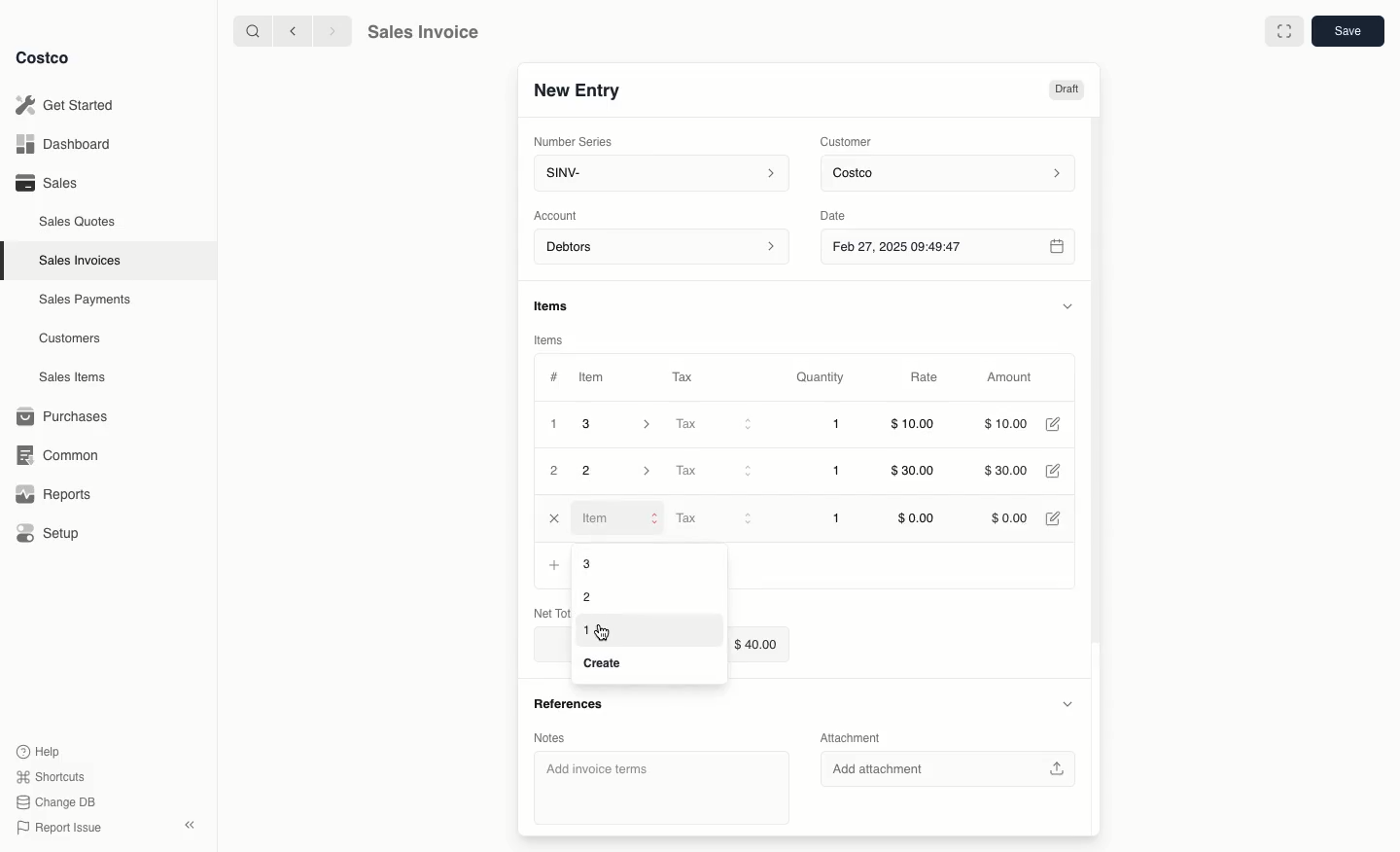 Image resolution: width=1400 pixels, height=852 pixels. What do you see at coordinates (915, 518) in the screenshot?
I see `$0.00` at bounding box center [915, 518].